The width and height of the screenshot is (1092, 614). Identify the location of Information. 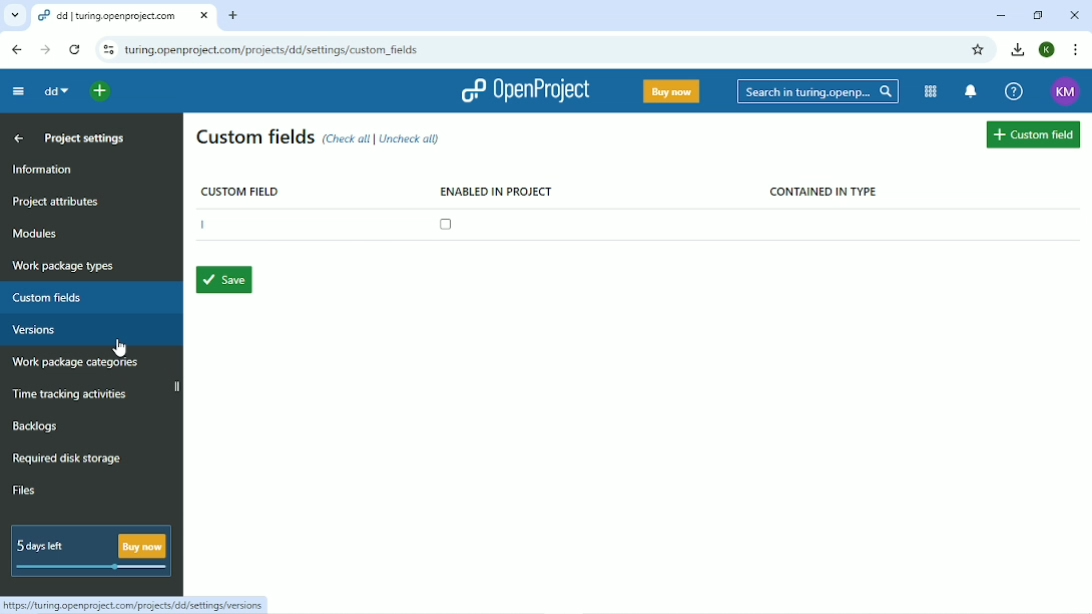
(47, 169).